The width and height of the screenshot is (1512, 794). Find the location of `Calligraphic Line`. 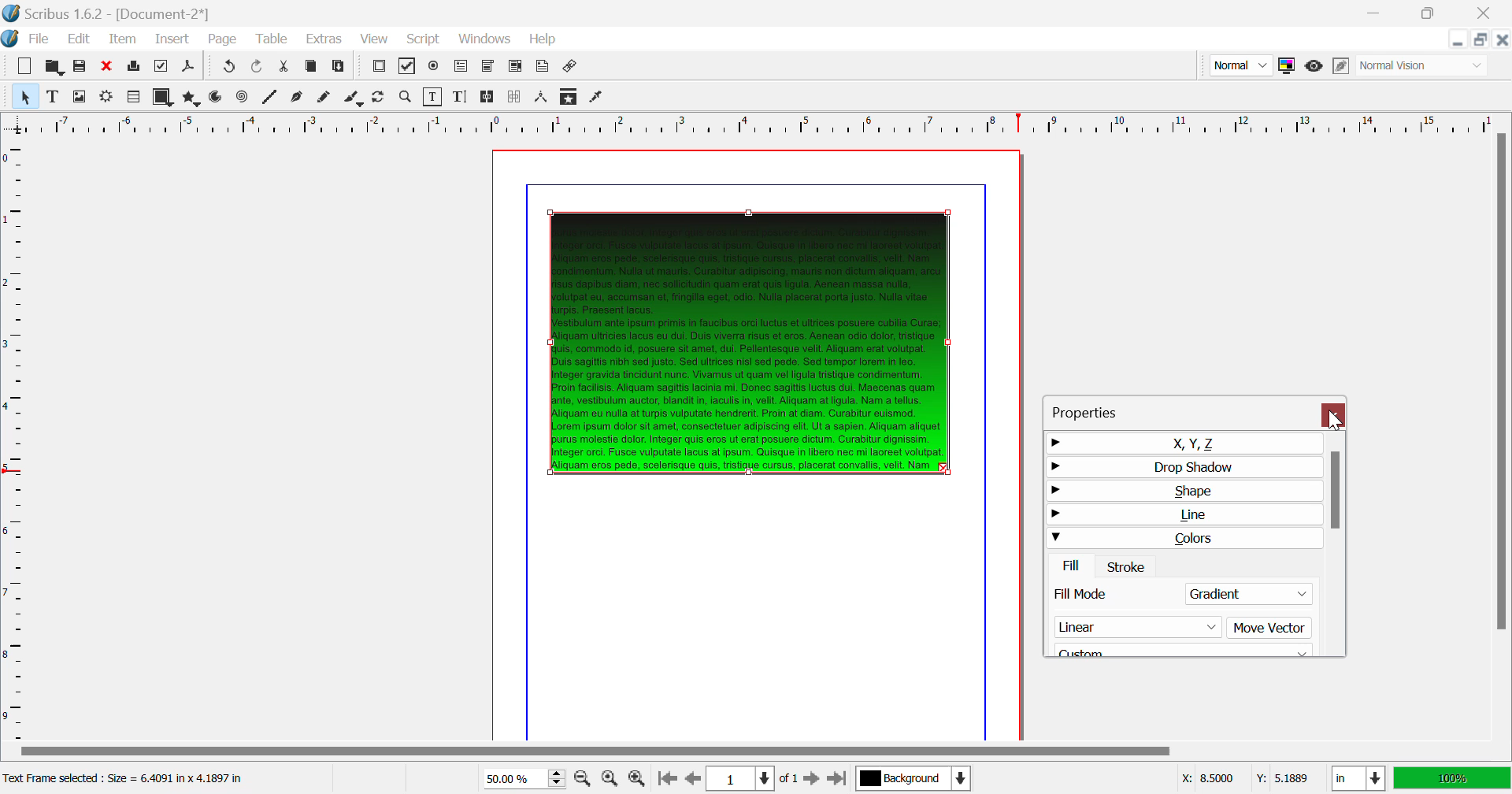

Calligraphic Line is located at coordinates (354, 99).